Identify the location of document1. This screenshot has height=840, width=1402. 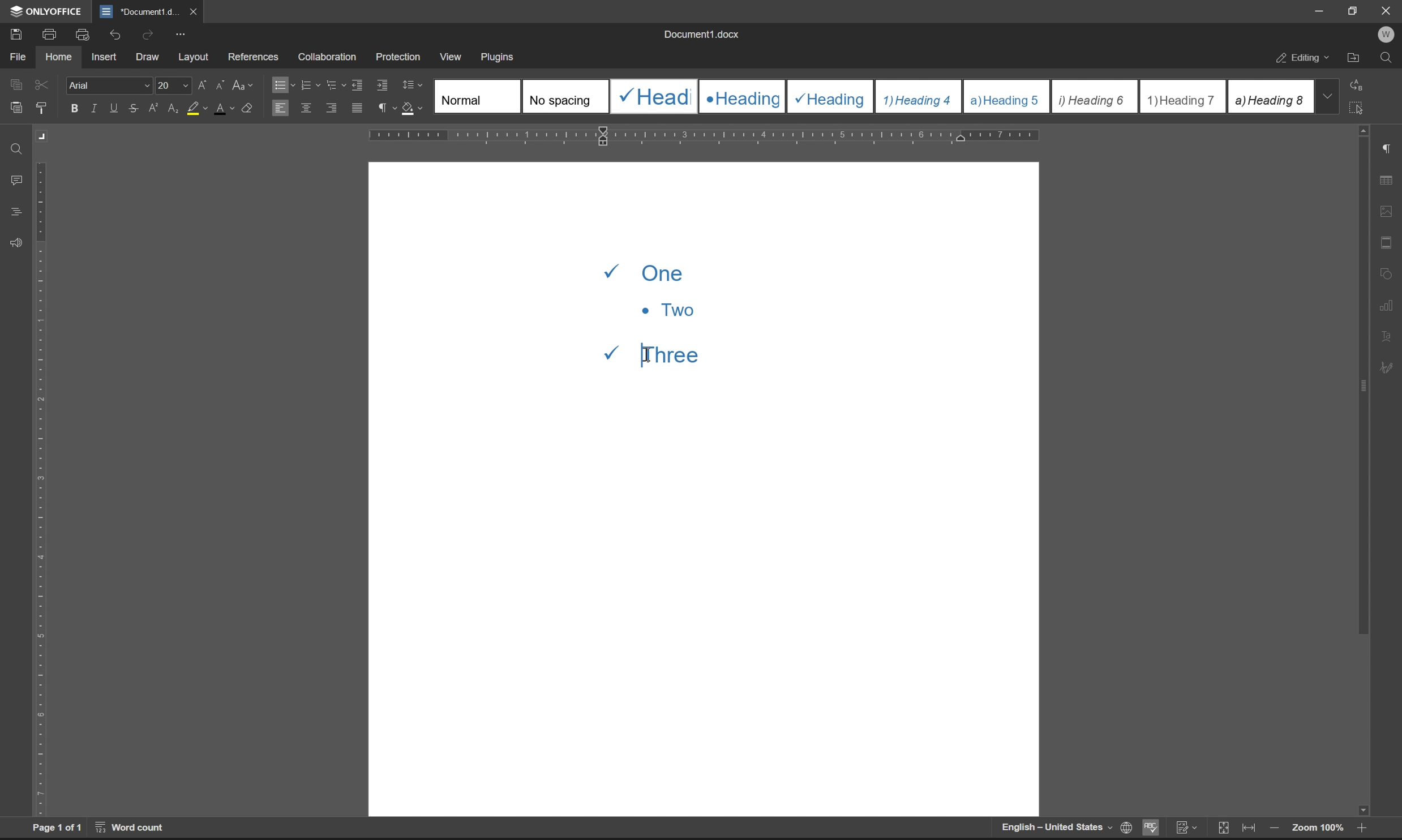
(139, 12).